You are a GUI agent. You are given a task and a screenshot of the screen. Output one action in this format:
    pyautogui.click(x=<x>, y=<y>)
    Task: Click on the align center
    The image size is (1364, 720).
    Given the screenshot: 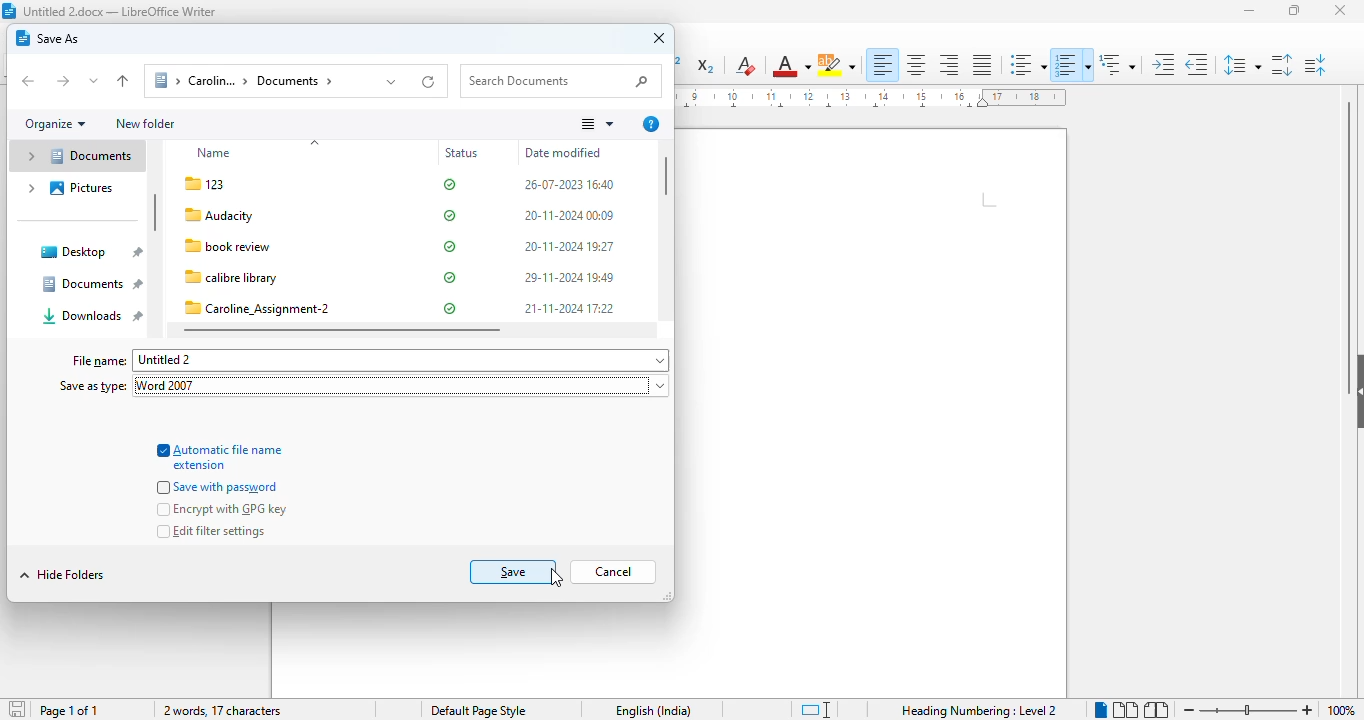 What is the action you would take?
    pyautogui.click(x=916, y=65)
    